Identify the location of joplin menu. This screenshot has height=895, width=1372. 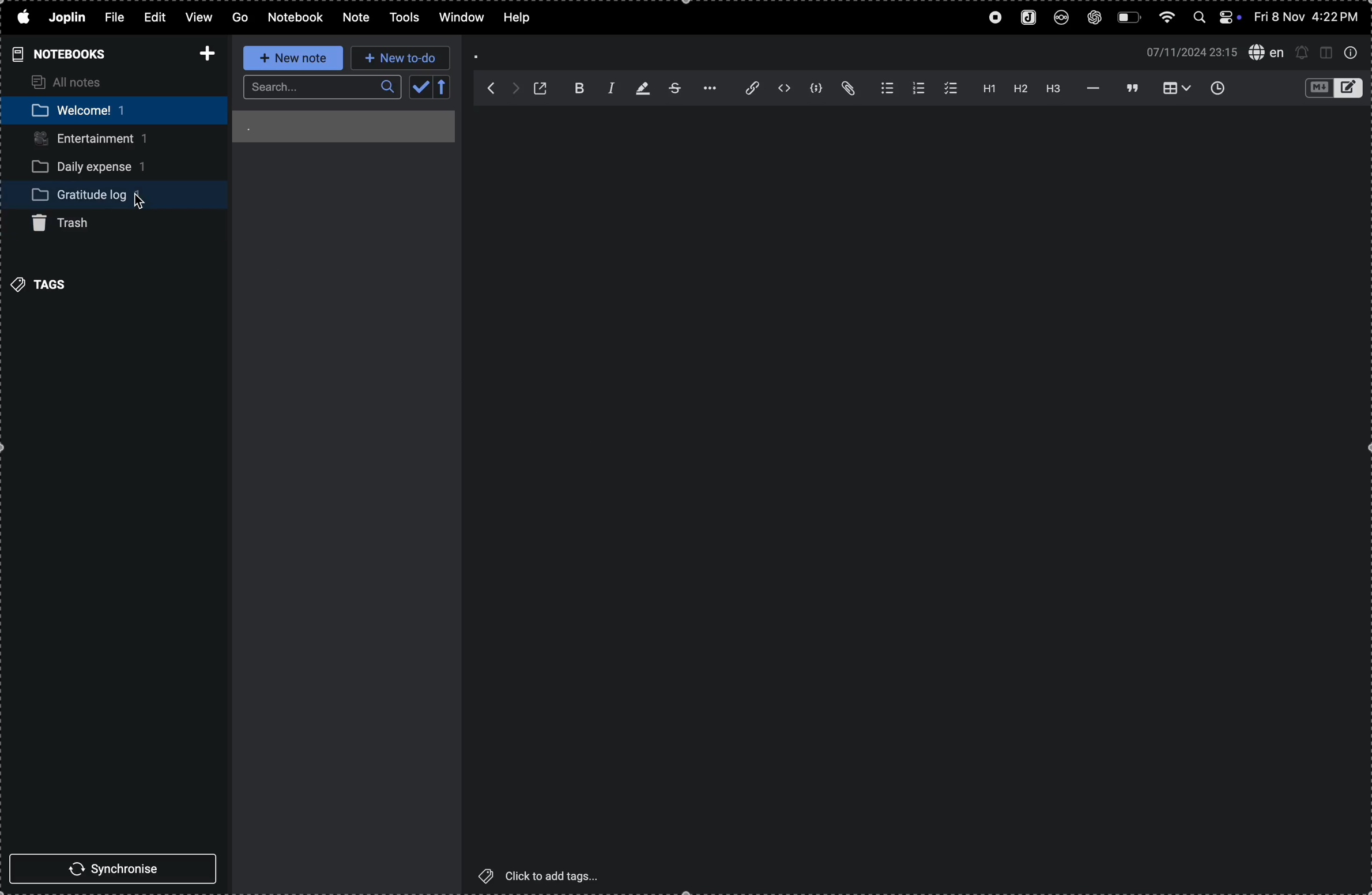
(66, 18).